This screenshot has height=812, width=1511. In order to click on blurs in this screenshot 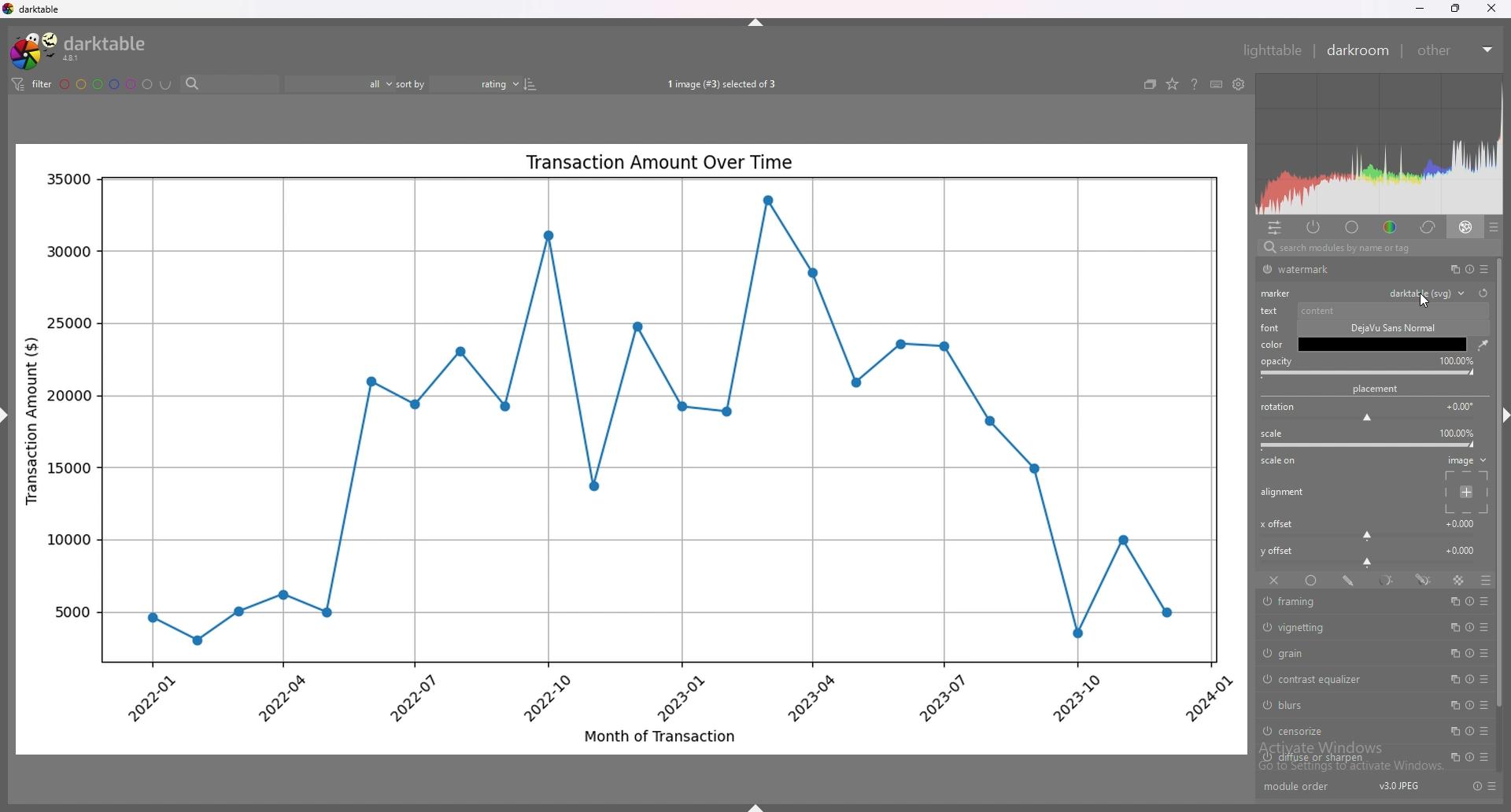, I will do `click(1343, 705)`.